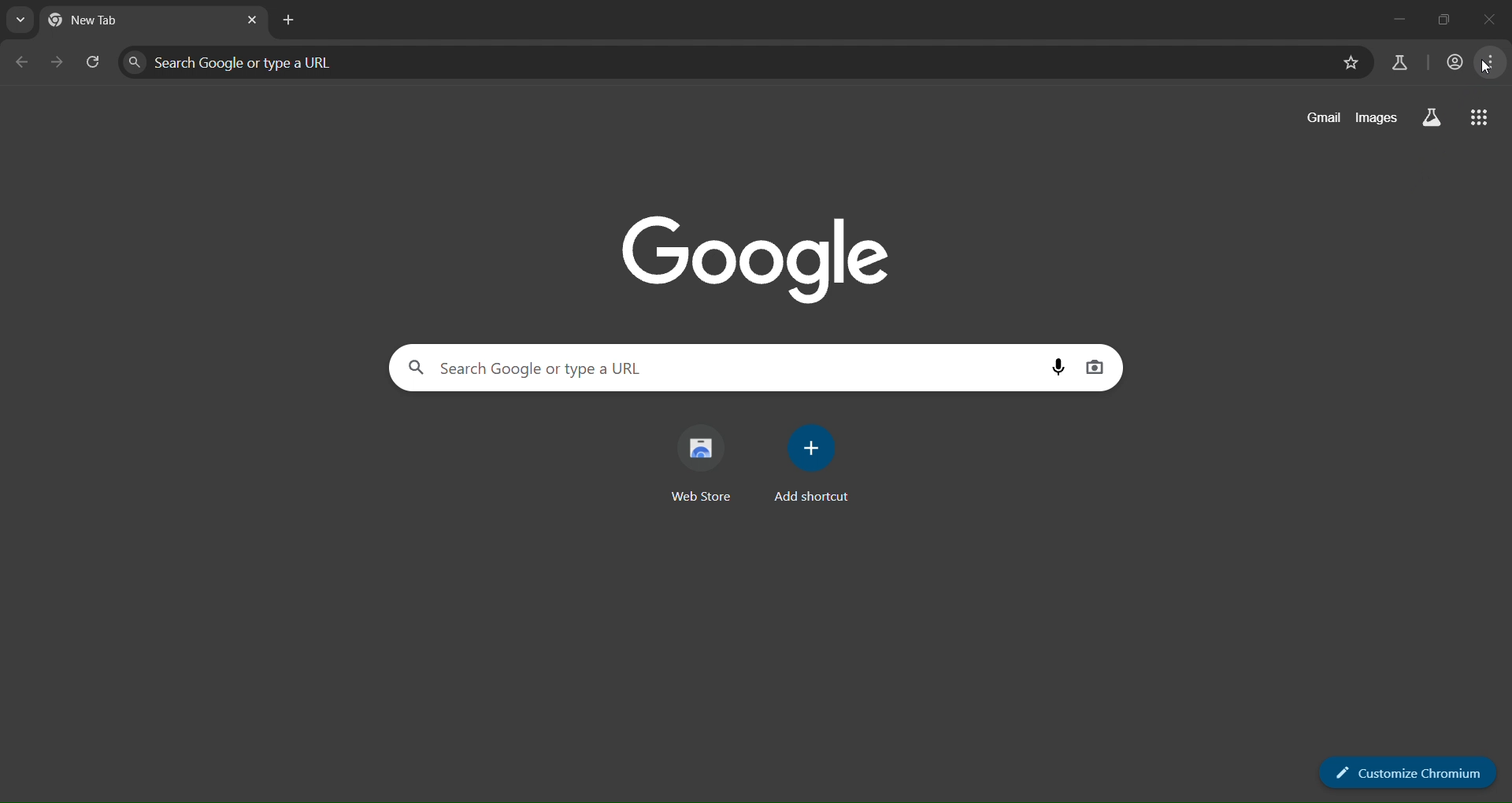 This screenshot has height=803, width=1512. Describe the element at coordinates (60, 62) in the screenshot. I see `go forward one page` at that location.